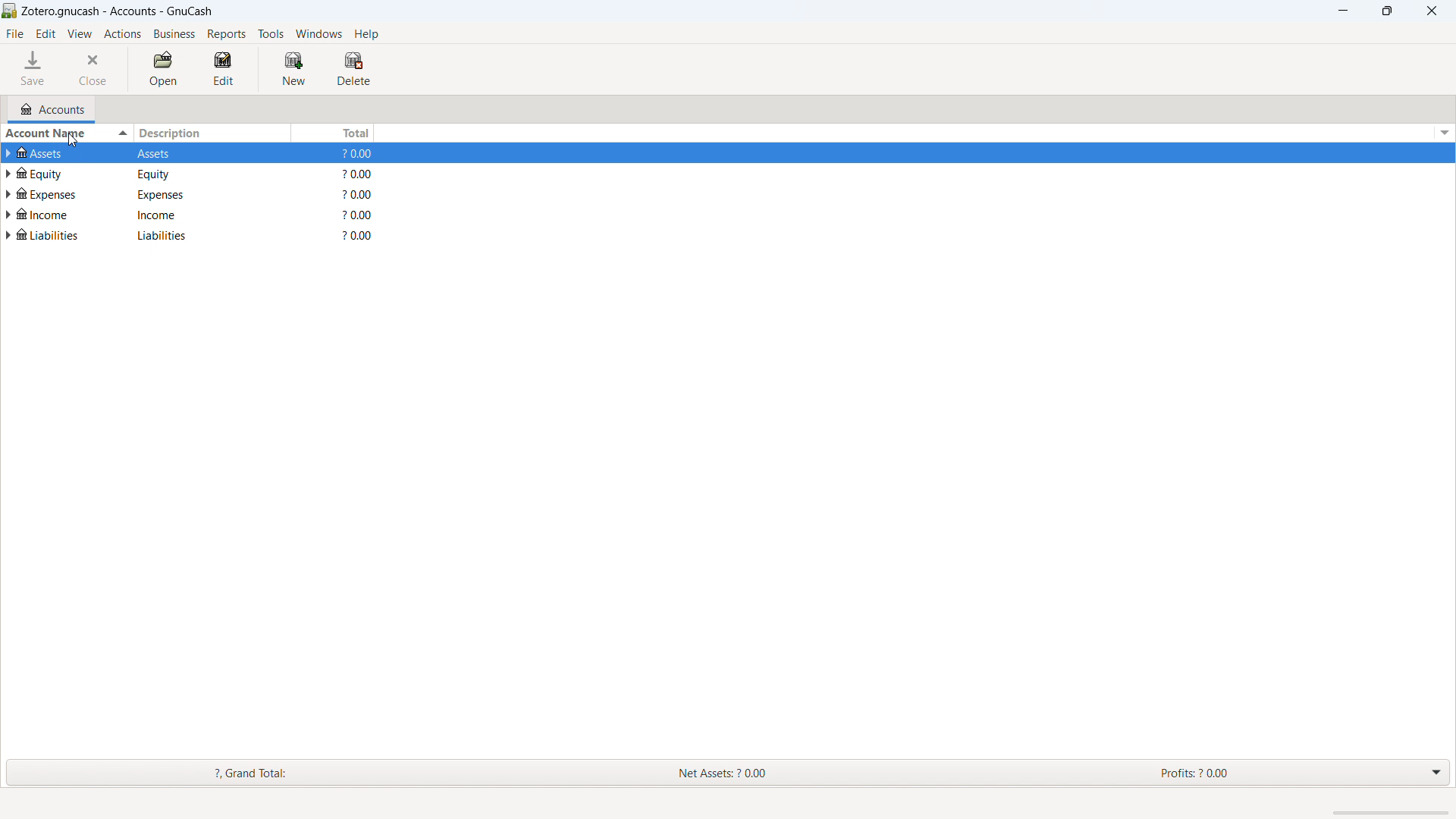 The image size is (1456, 819). I want to click on reports, so click(227, 34).